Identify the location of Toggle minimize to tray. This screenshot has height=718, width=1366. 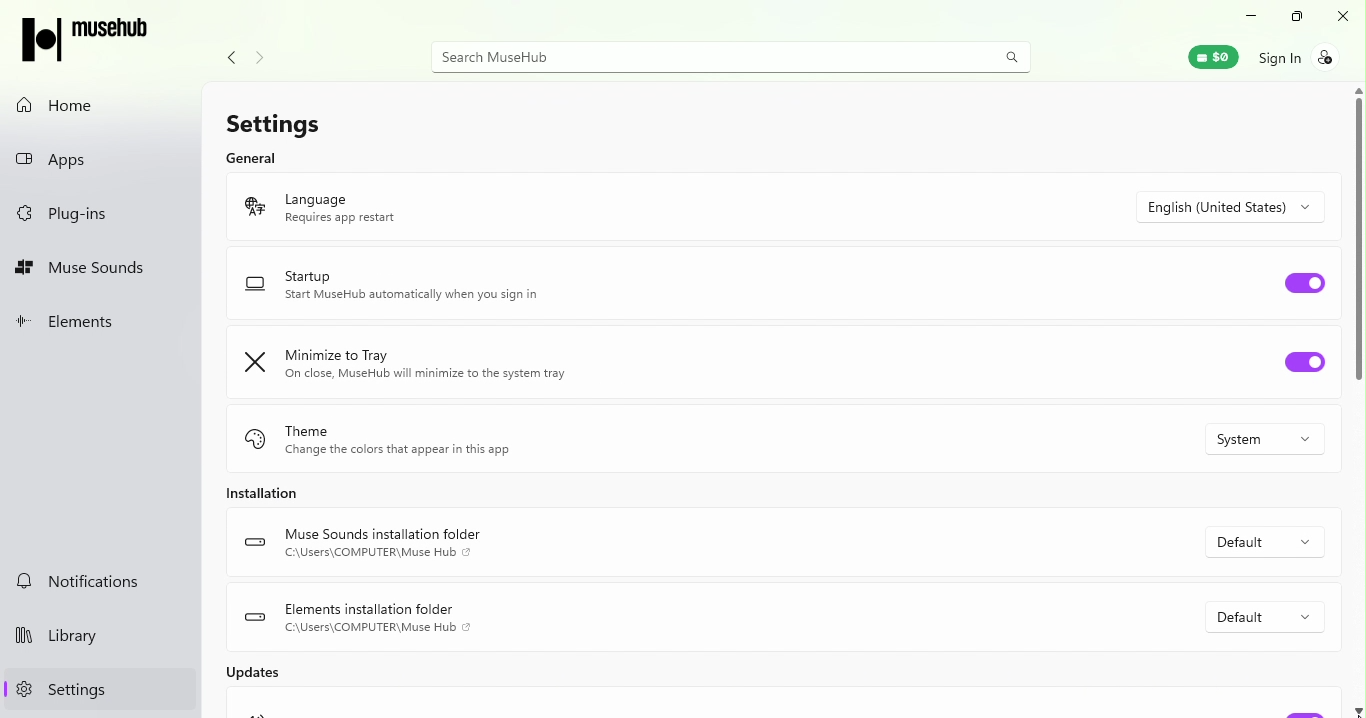
(1286, 365).